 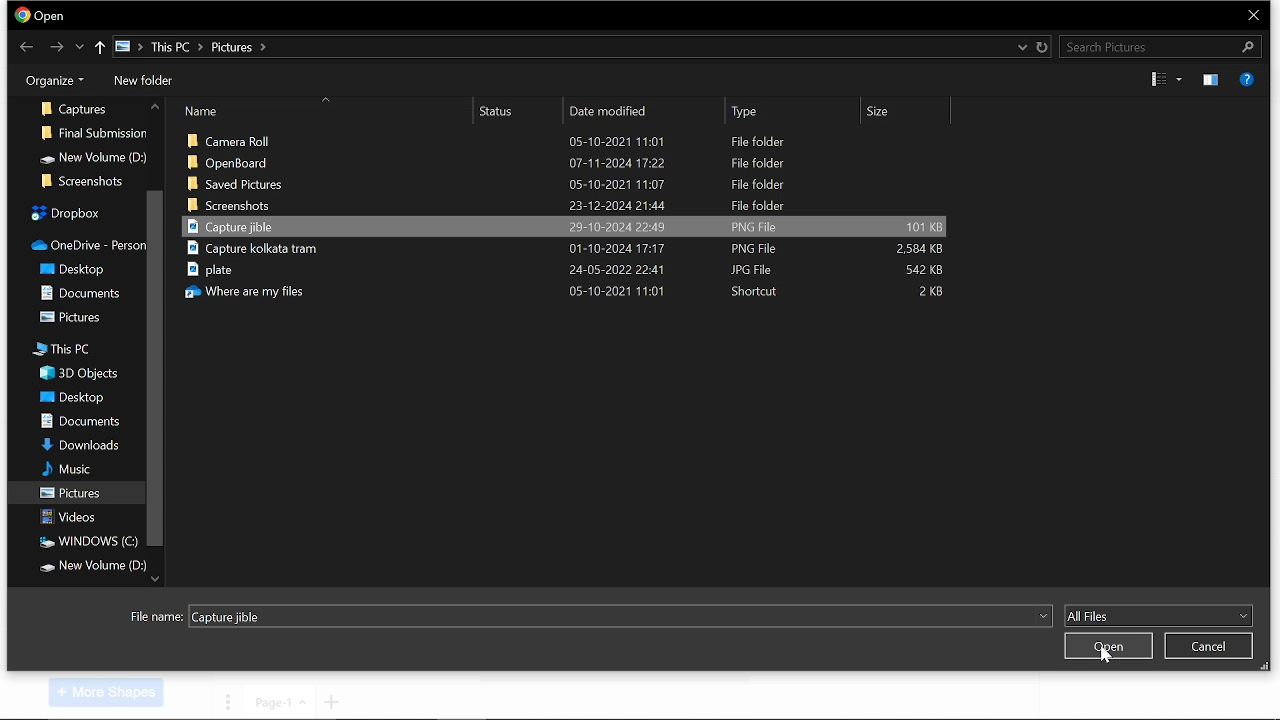 What do you see at coordinates (522, 112) in the screenshot?
I see `status` at bounding box center [522, 112].